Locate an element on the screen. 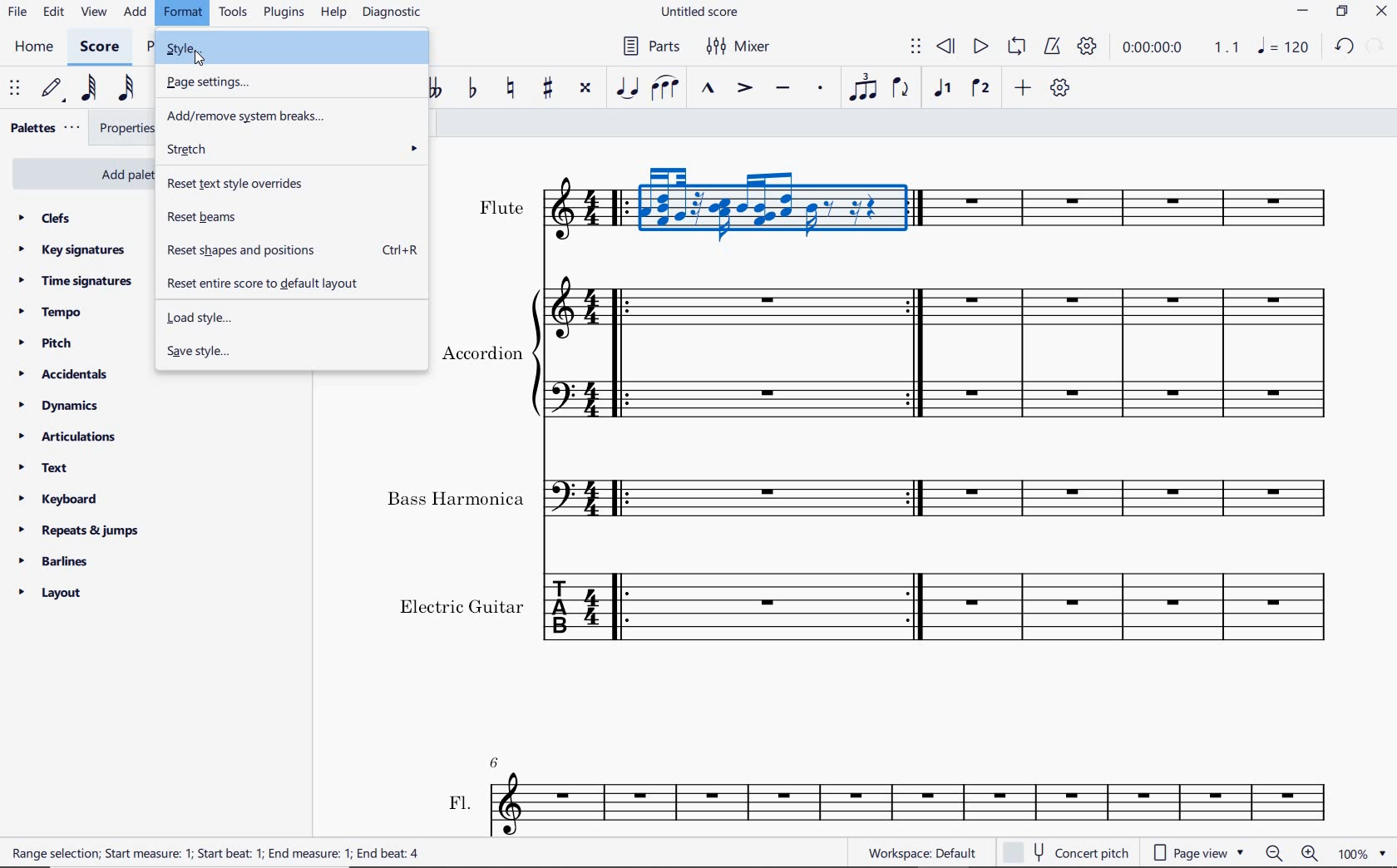  metronome is located at coordinates (1051, 47).